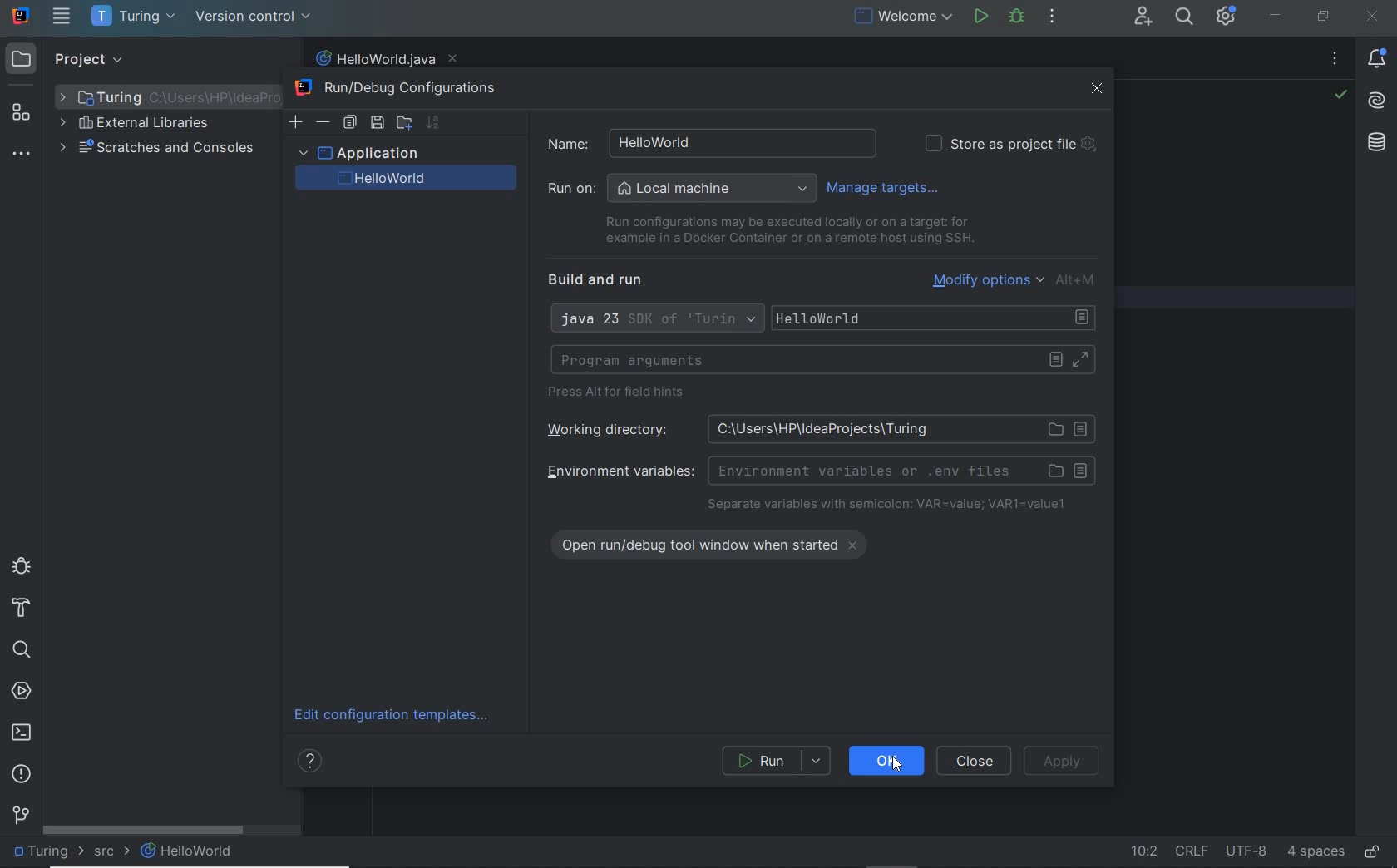 The image size is (1397, 868). What do you see at coordinates (1373, 853) in the screenshot?
I see `make file ready only` at bounding box center [1373, 853].